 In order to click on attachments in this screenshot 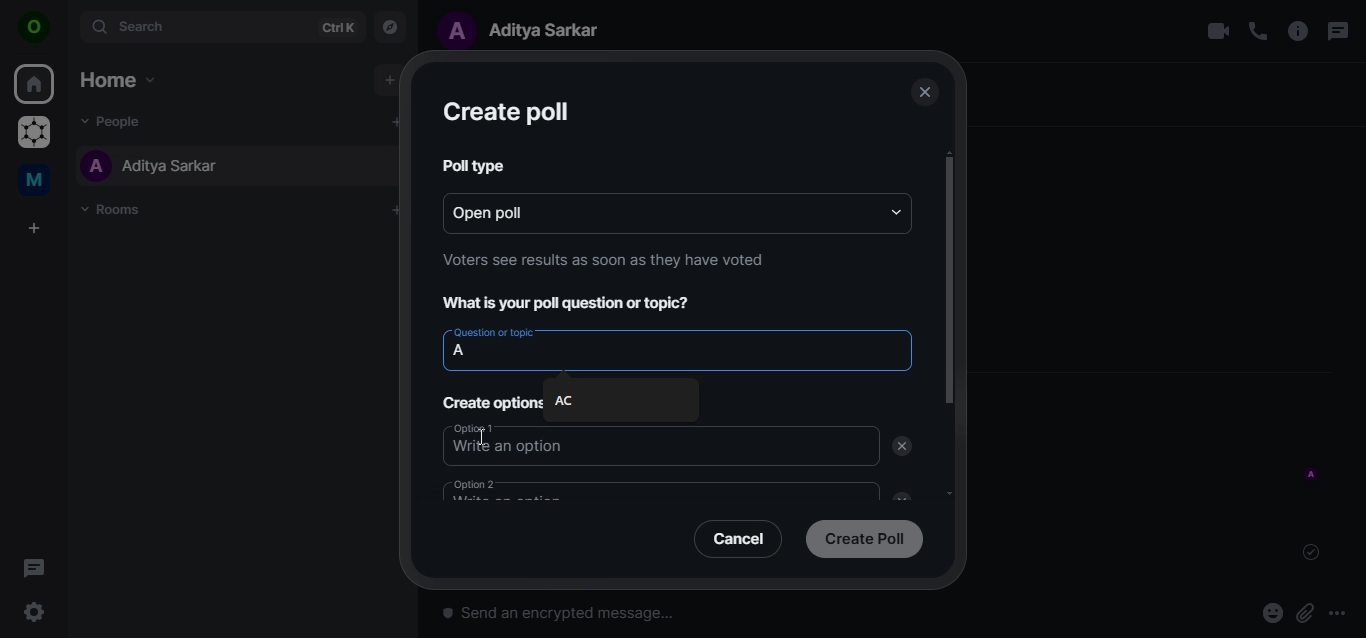, I will do `click(1305, 614)`.